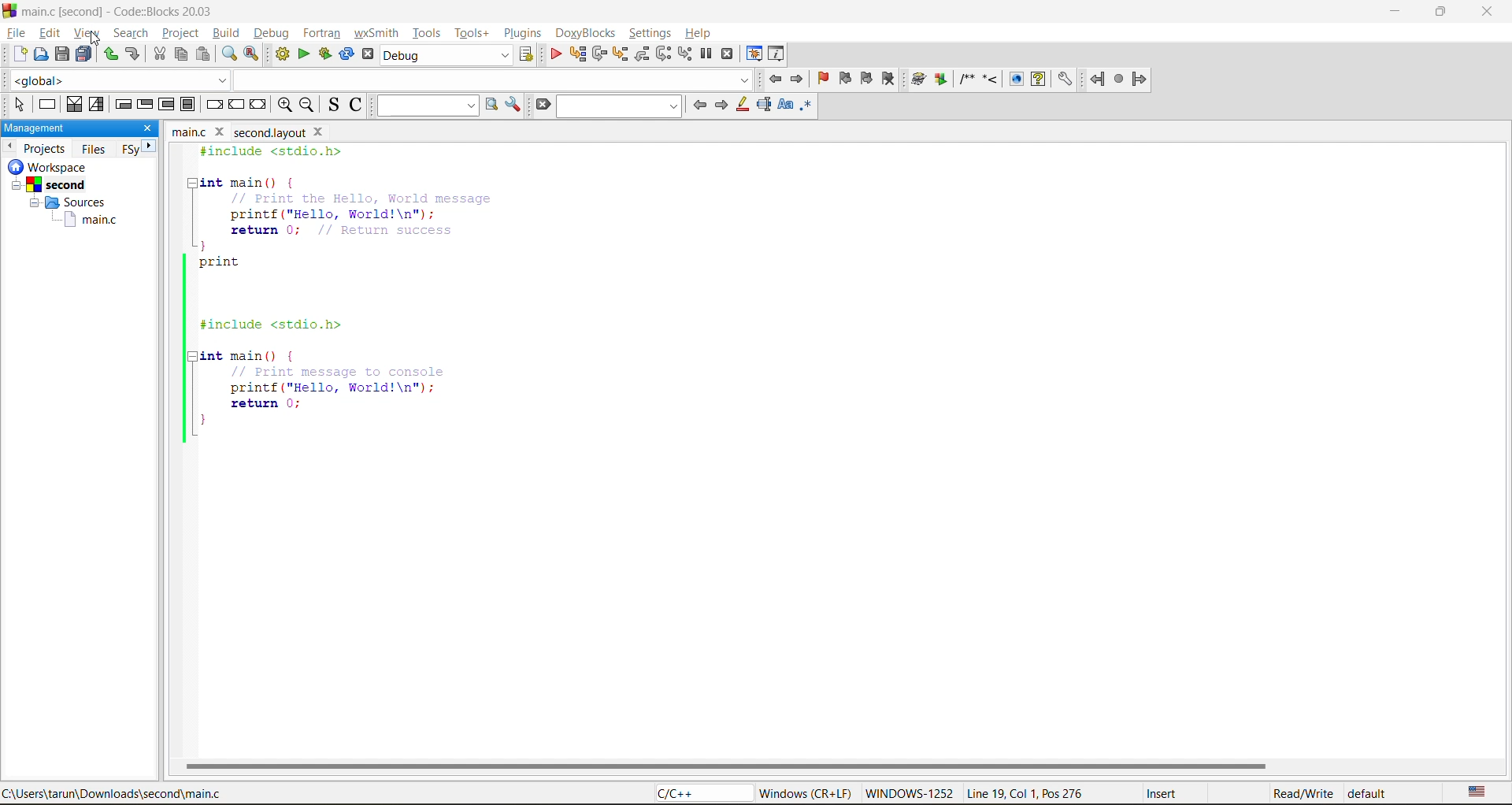  Describe the element at coordinates (494, 106) in the screenshot. I see `run search` at that location.